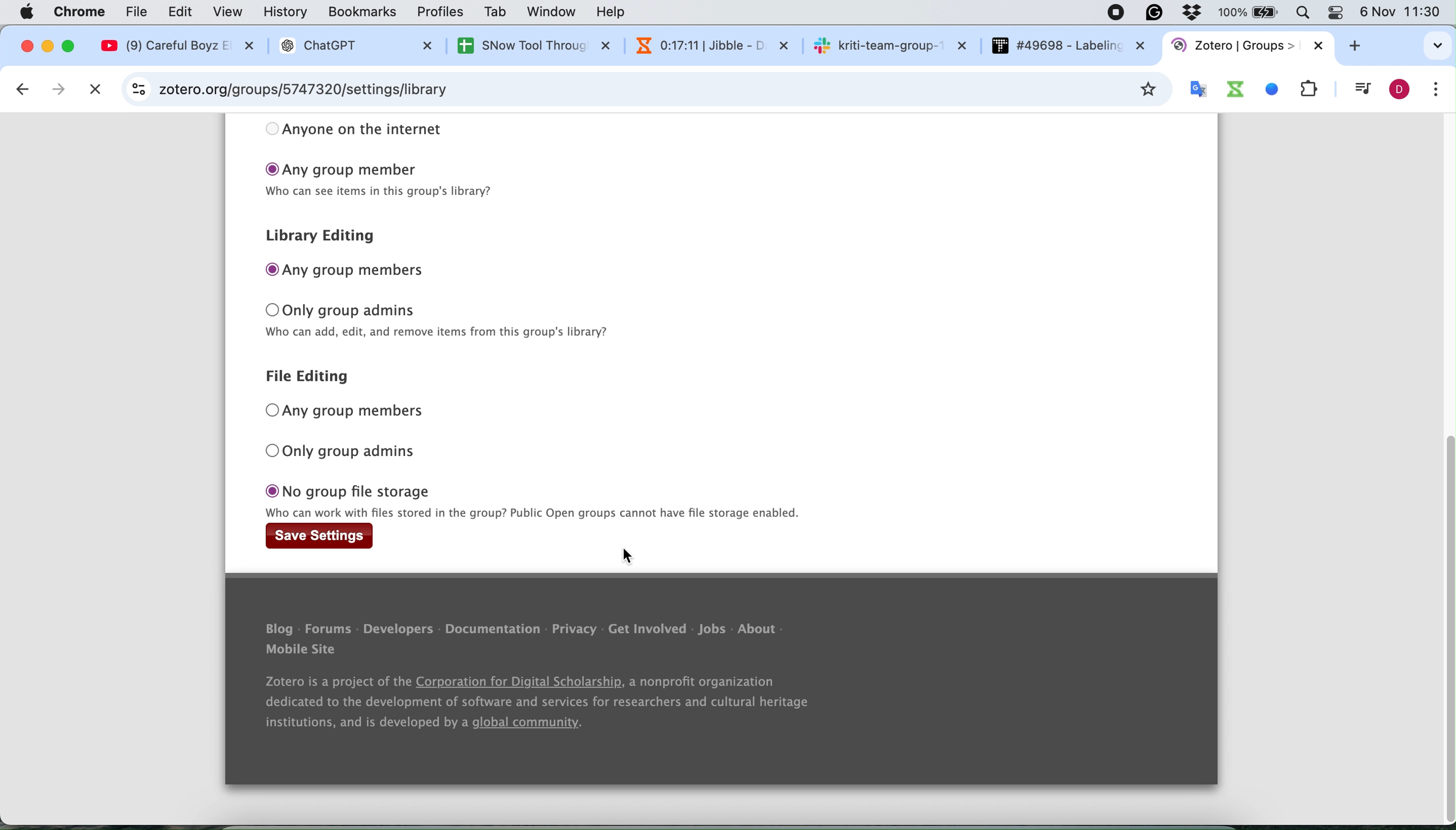  Describe the element at coordinates (140, 12) in the screenshot. I see `file` at that location.